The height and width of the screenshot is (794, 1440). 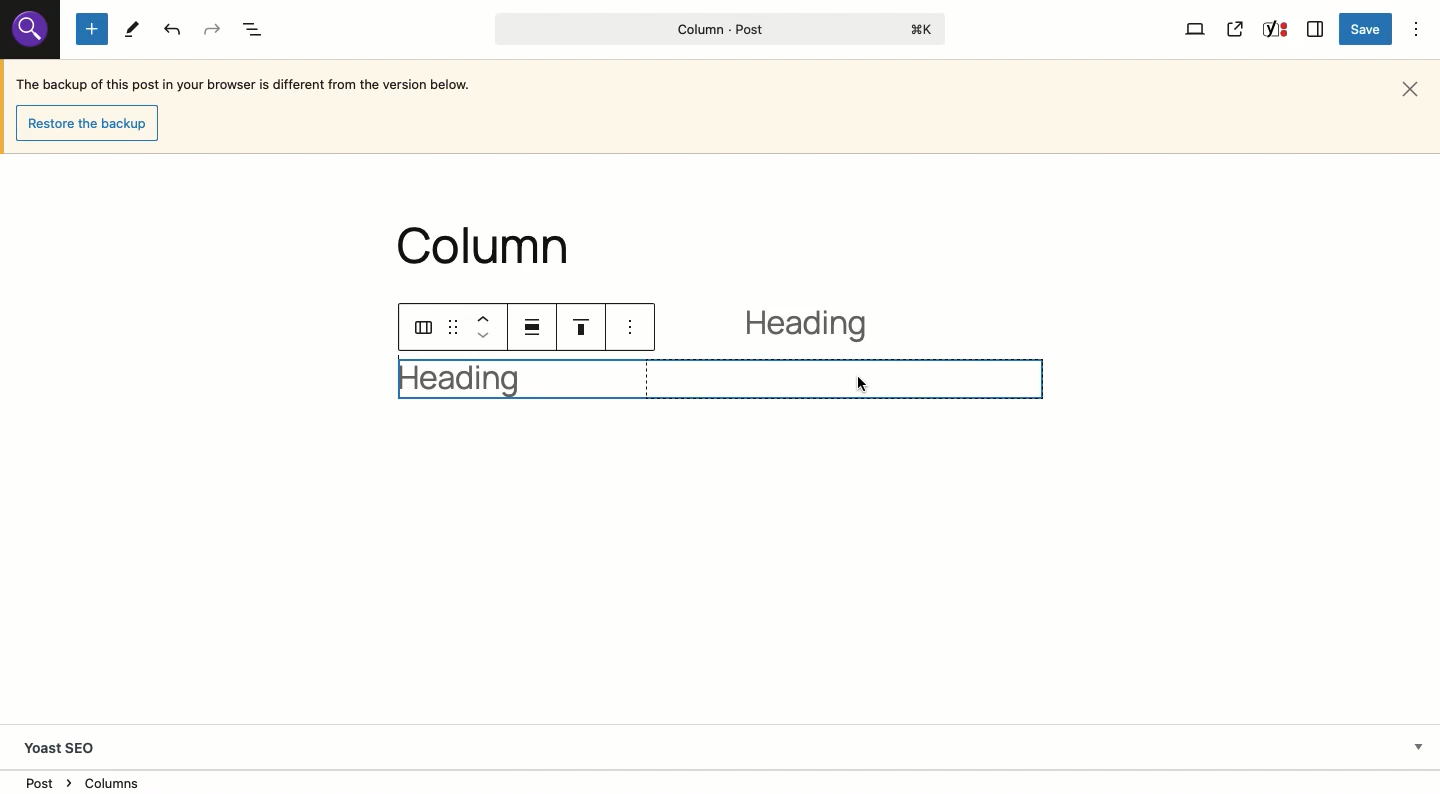 What do you see at coordinates (524, 378) in the screenshot?
I see `Column` at bounding box center [524, 378].